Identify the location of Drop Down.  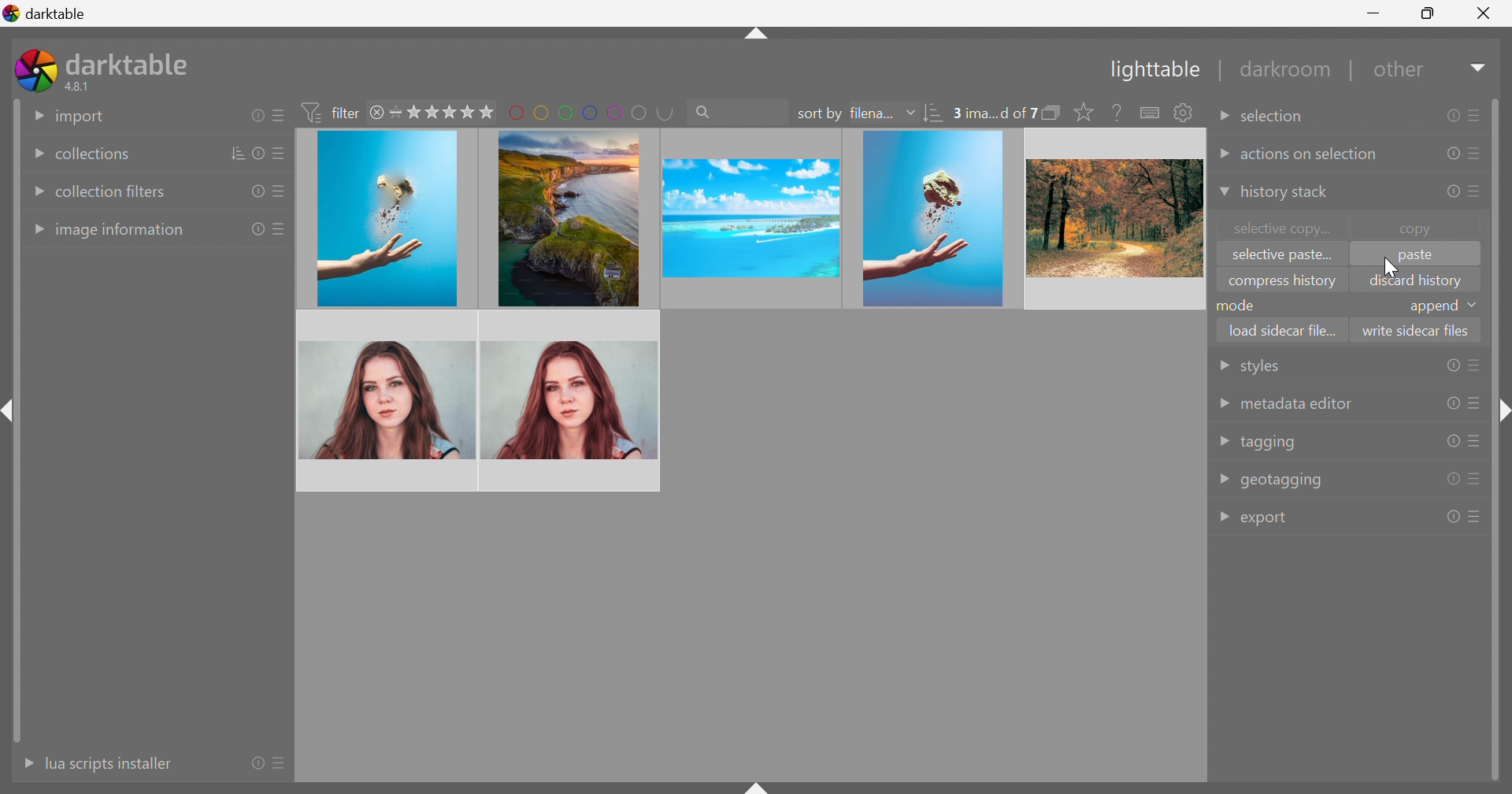
(1223, 518).